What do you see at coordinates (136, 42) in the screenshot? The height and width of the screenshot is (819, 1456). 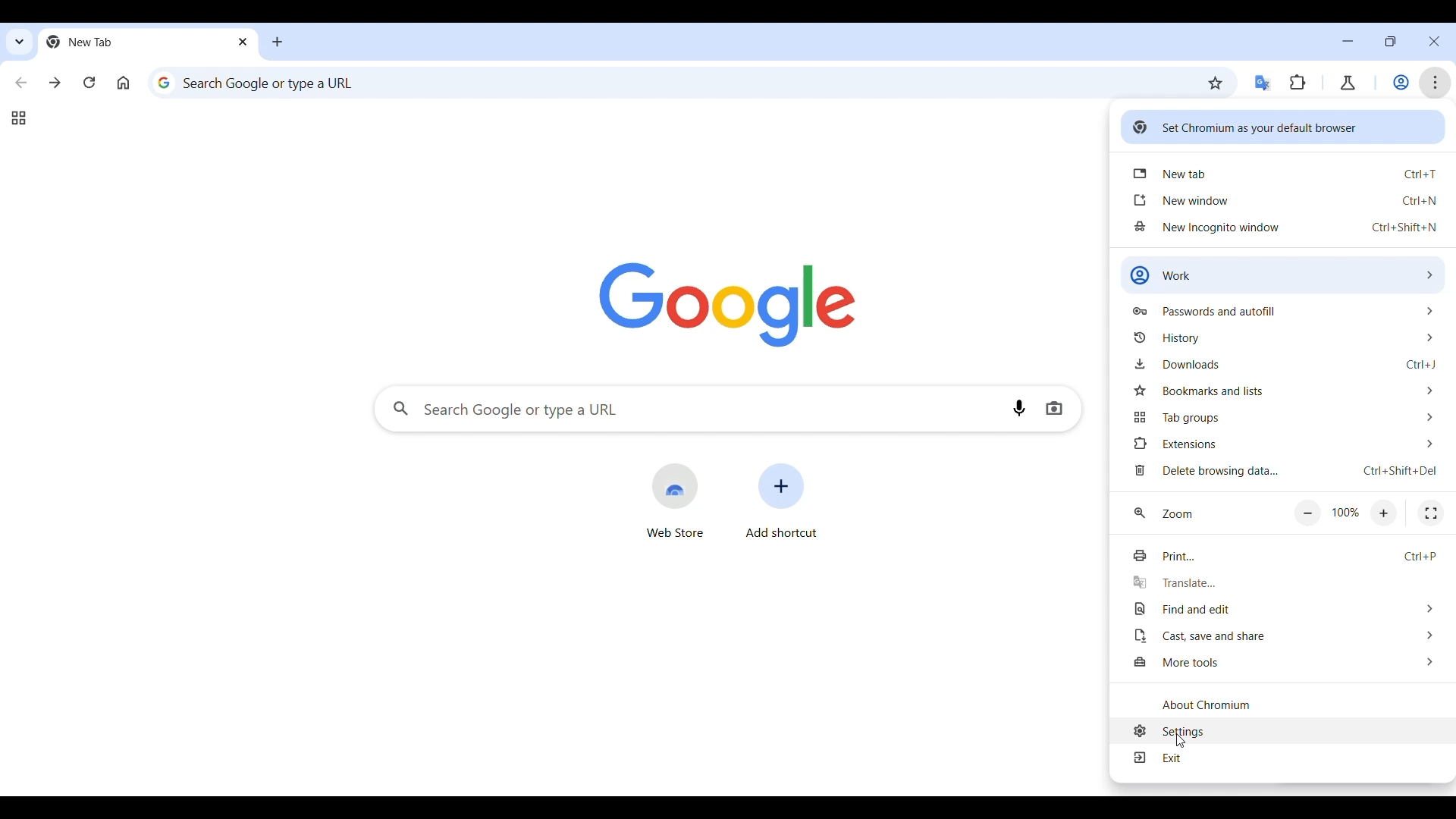 I see `Current open tab` at bounding box center [136, 42].